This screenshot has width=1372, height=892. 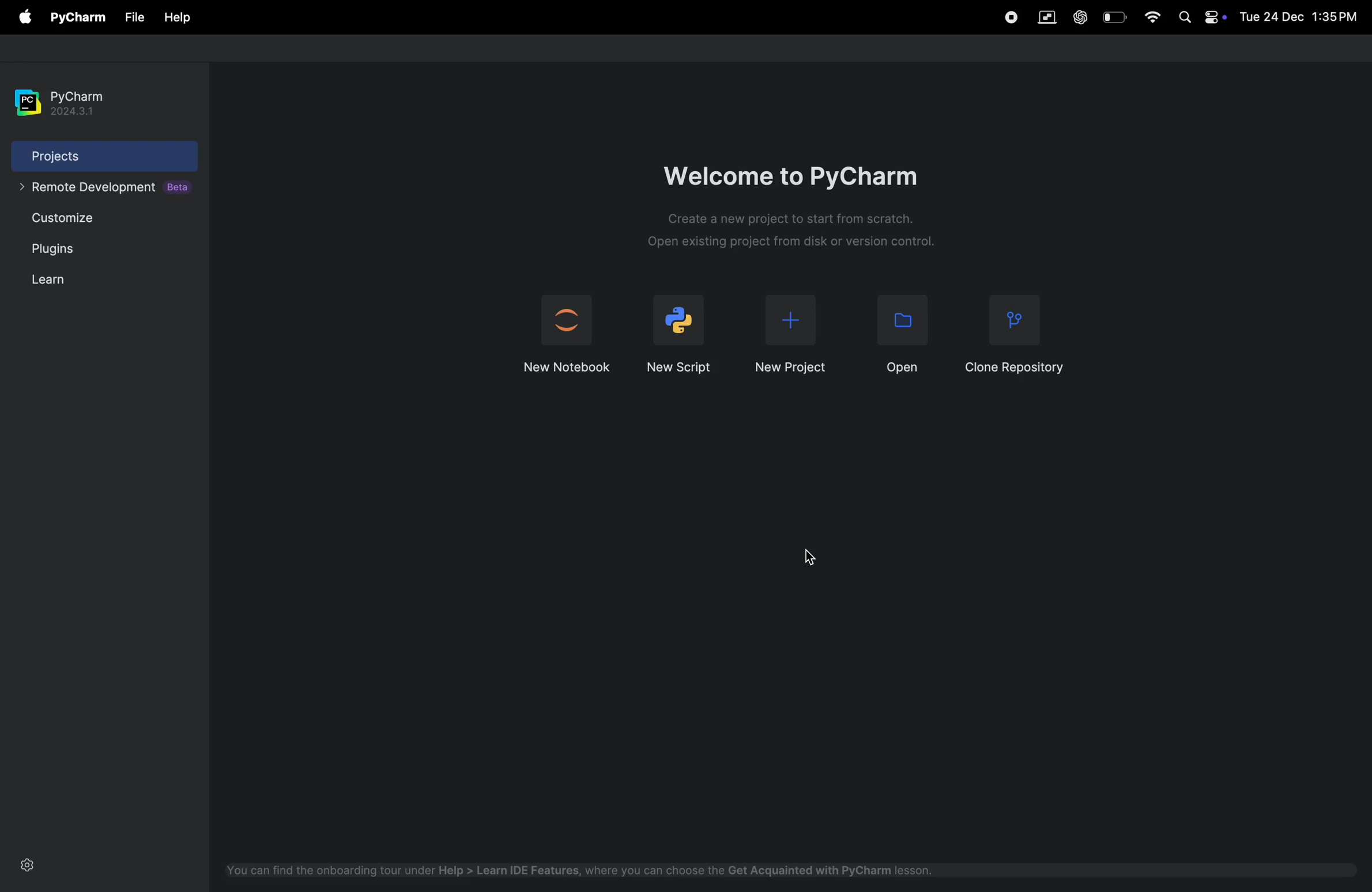 What do you see at coordinates (902, 331) in the screenshot?
I see `open` at bounding box center [902, 331].